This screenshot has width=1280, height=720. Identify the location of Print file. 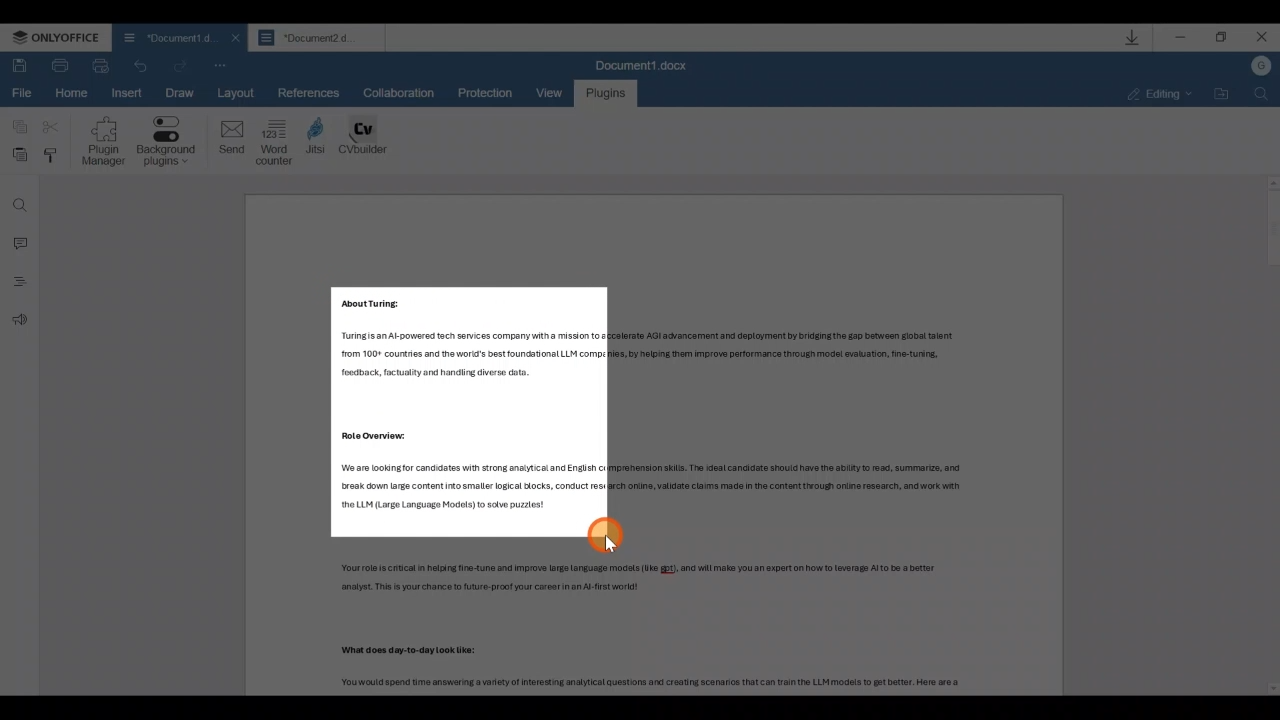
(59, 65).